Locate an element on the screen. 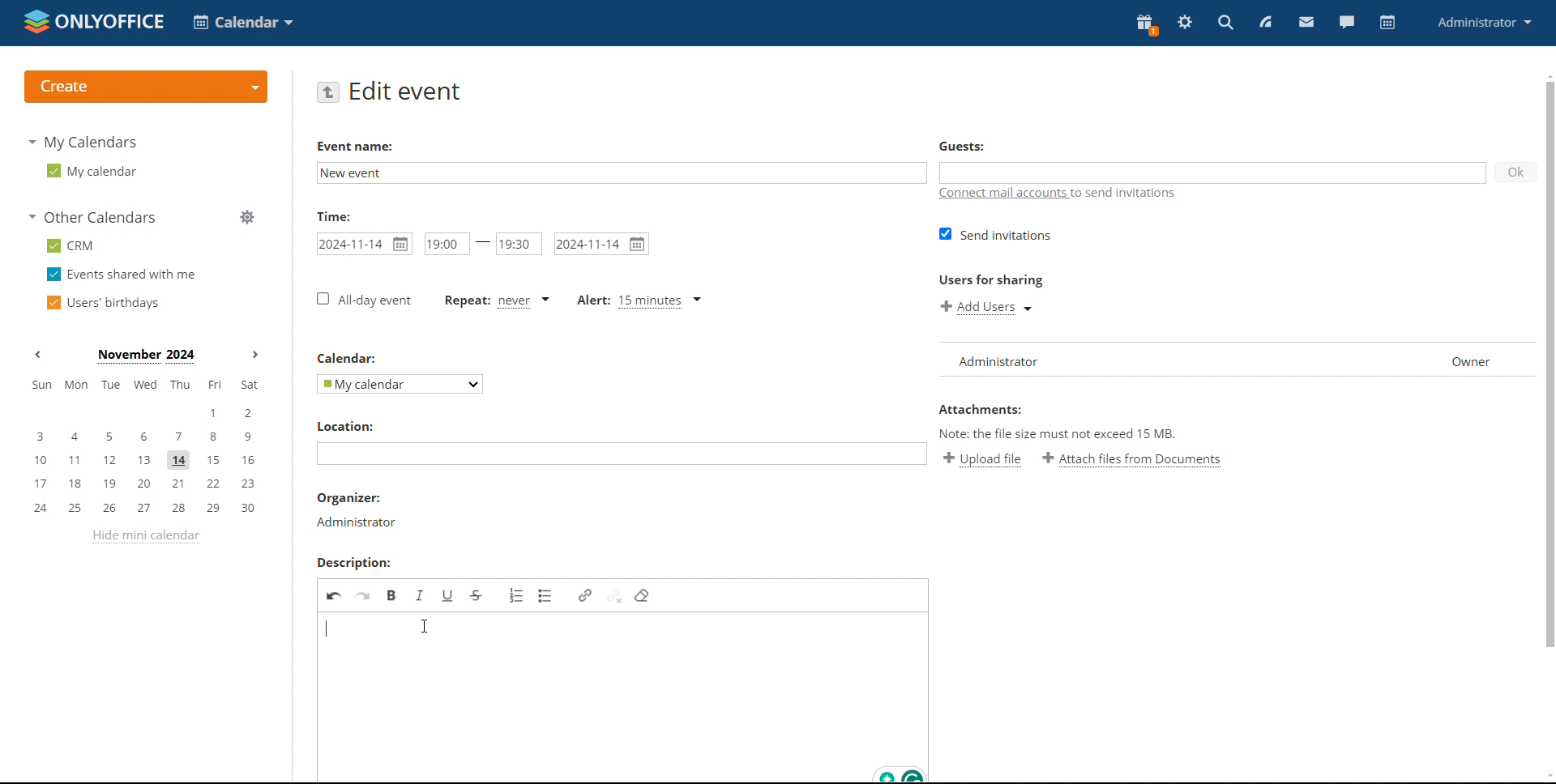 The width and height of the screenshot is (1556, 784). start date is located at coordinates (363, 244).